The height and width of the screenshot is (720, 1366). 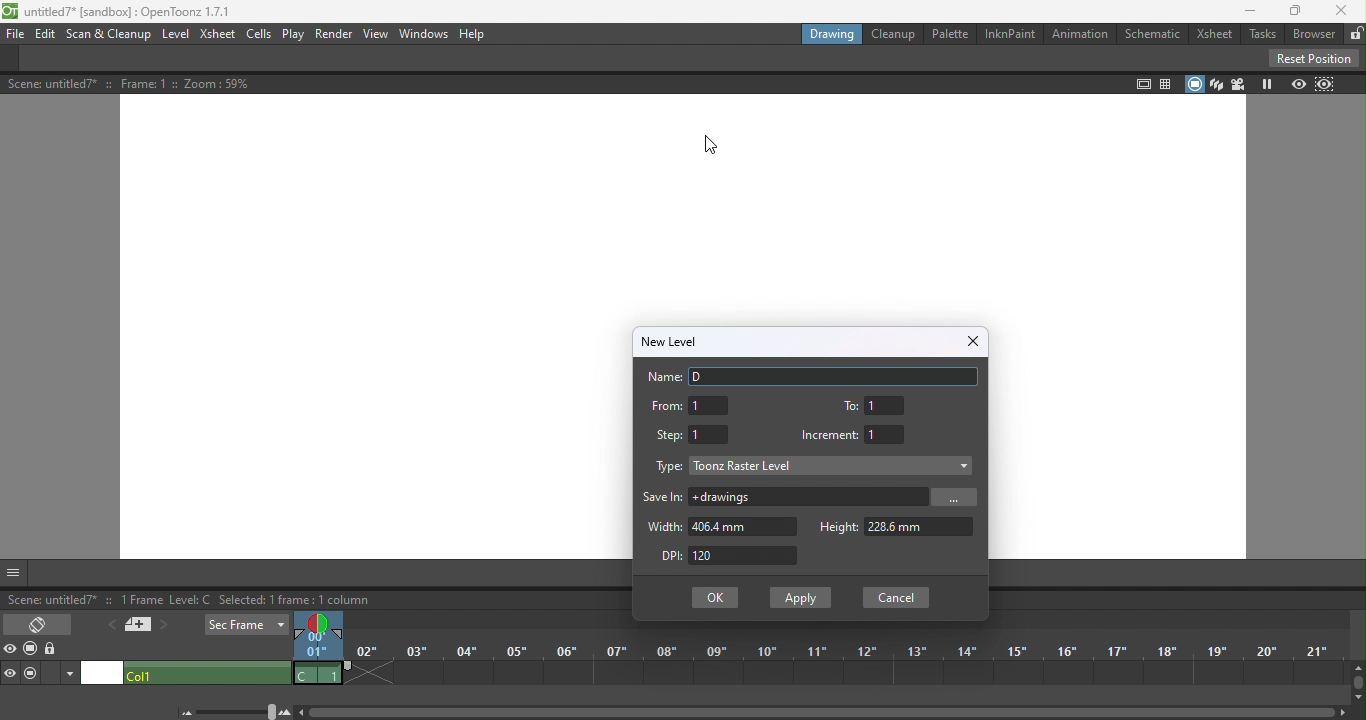 I want to click on sub-camera preview, so click(x=1326, y=84).